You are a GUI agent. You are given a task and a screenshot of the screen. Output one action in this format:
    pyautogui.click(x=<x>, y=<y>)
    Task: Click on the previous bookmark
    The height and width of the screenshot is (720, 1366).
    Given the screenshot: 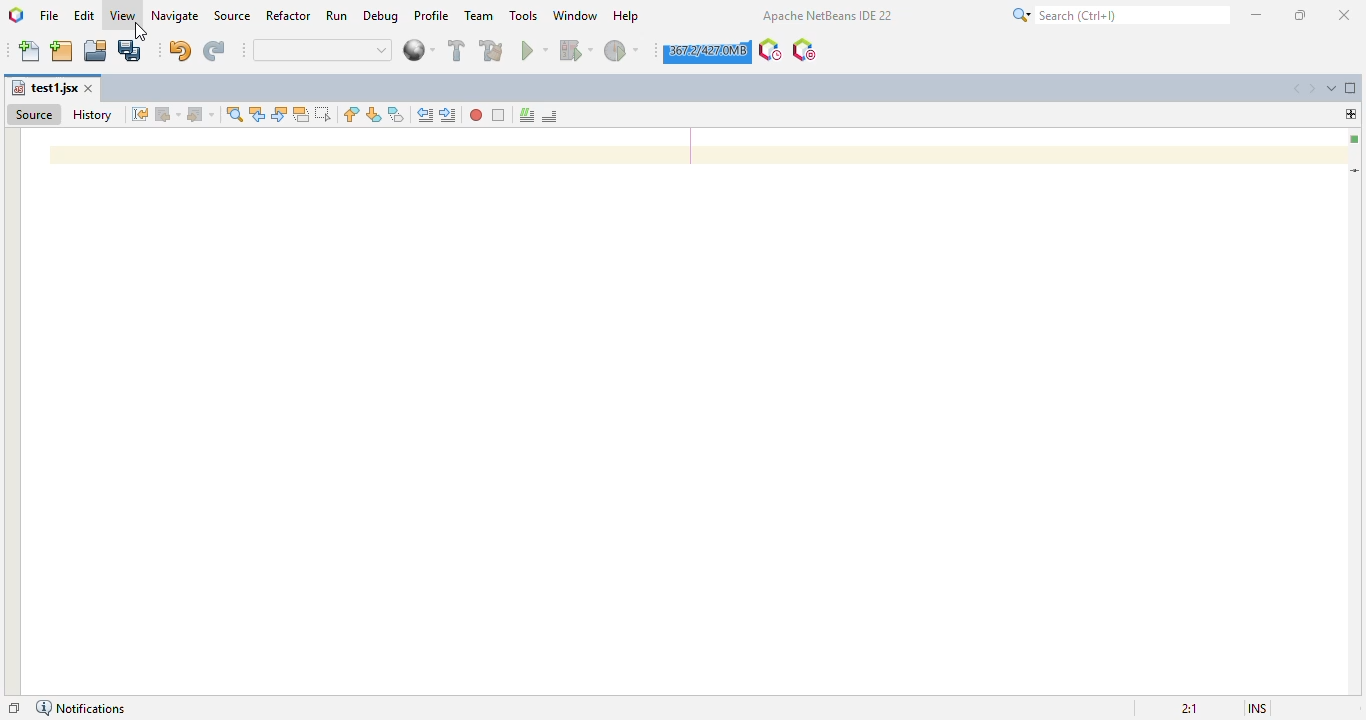 What is the action you would take?
    pyautogui.click(x=353, y=114)
    